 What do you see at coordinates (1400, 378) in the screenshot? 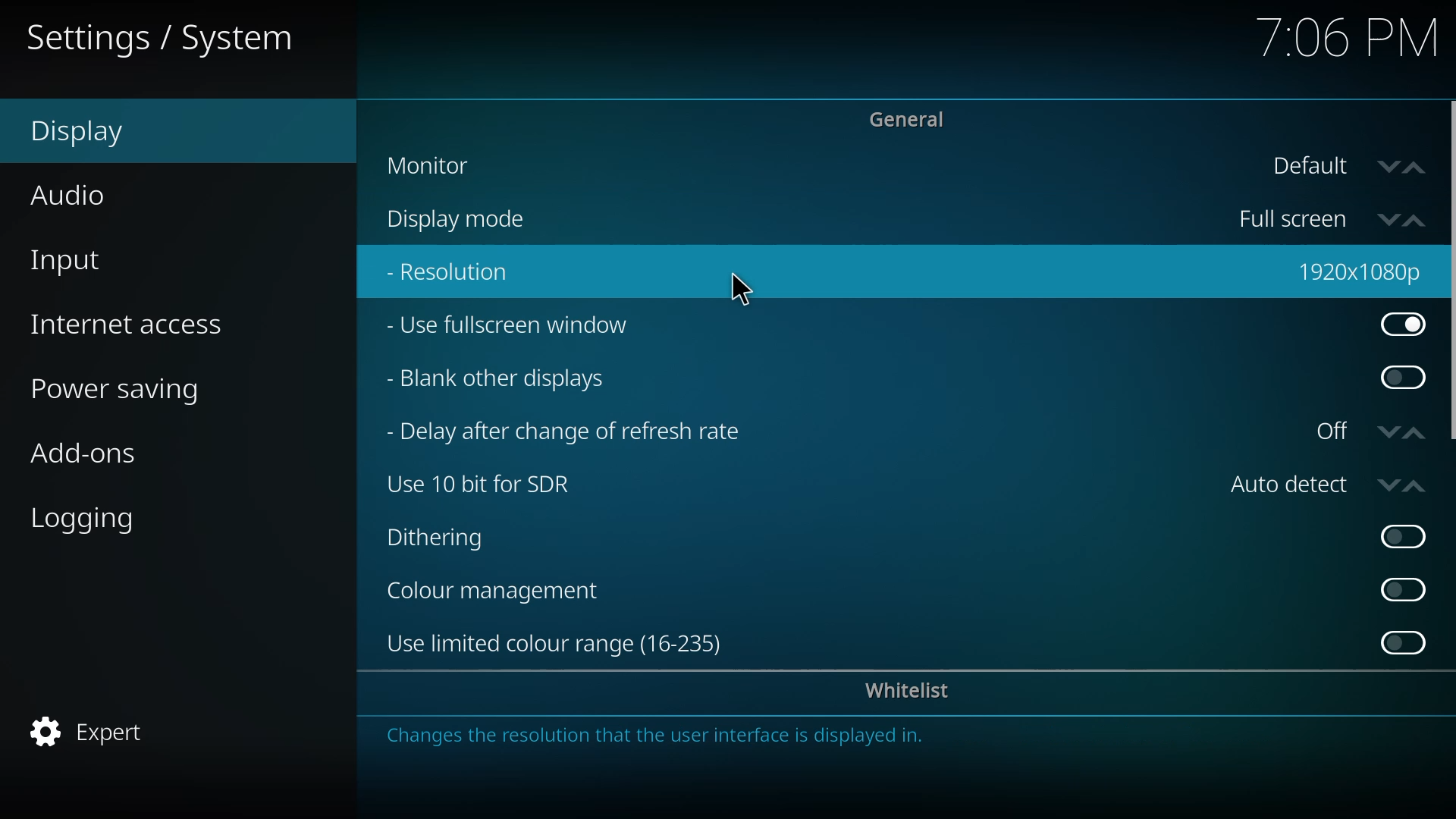
I see `enable` at bounding box center [1400, 378].